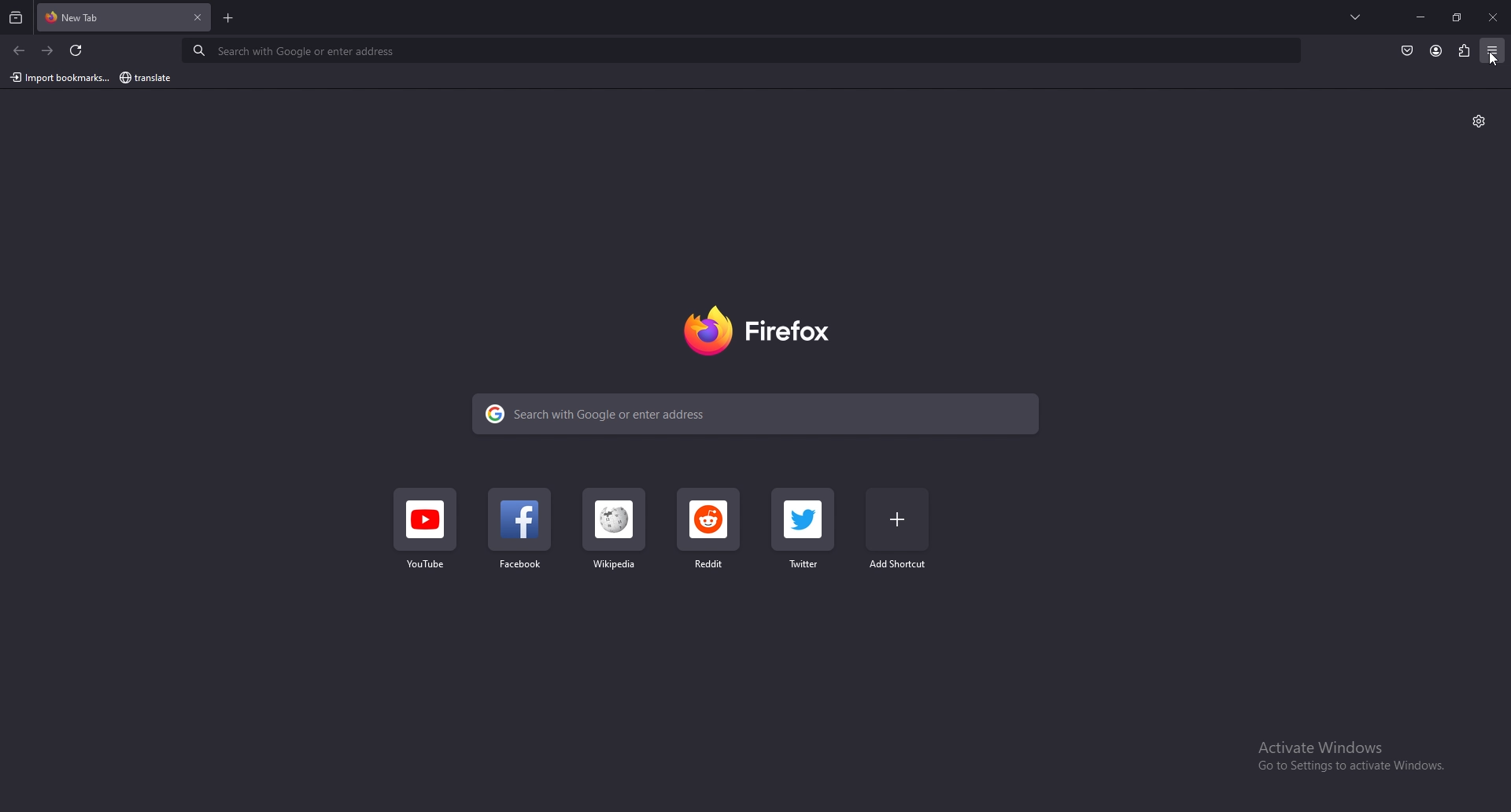 The height and width of the screenshot is (812, 1511). What do you see at coordinates (1457, 17) in the screenshot?
I see `resize` at bounding box center [1457, 17].